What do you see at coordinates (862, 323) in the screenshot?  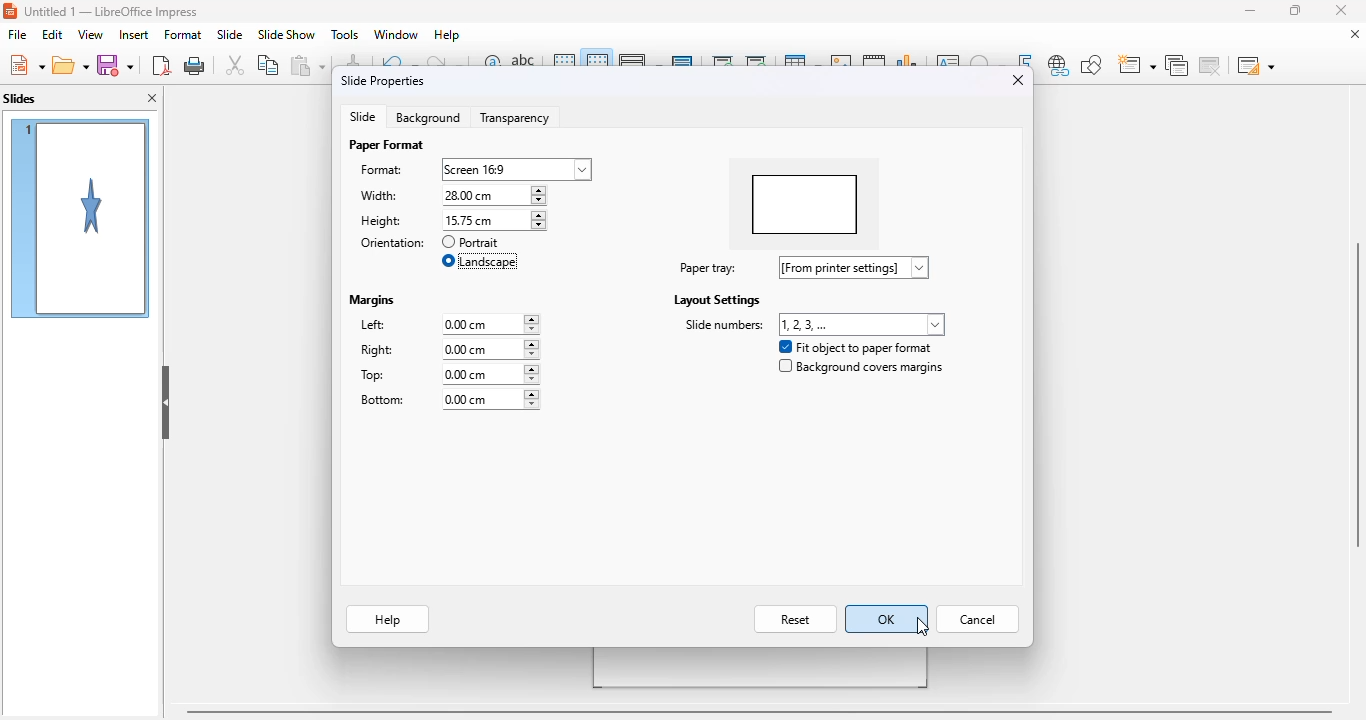 I see `slide numbers: 1,2,3,...` at bounding box center [862, 323].